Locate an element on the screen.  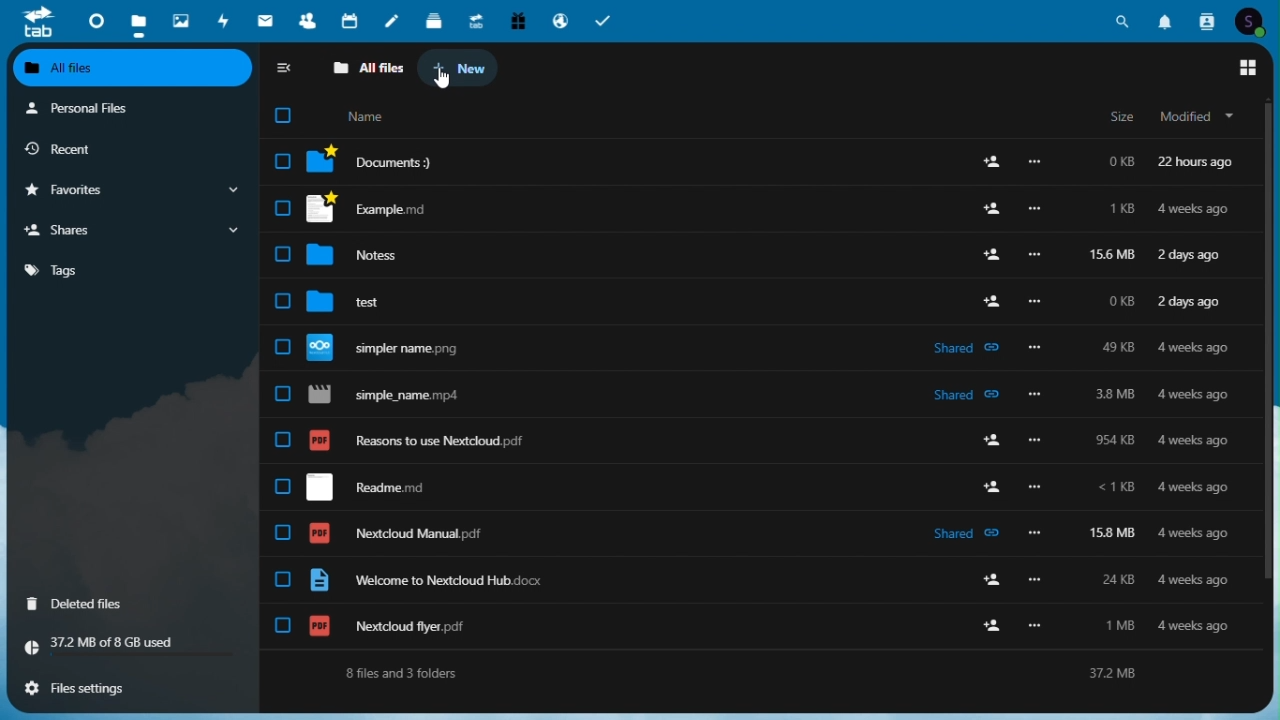
2 days ago is located at coordinates (1191, 304).